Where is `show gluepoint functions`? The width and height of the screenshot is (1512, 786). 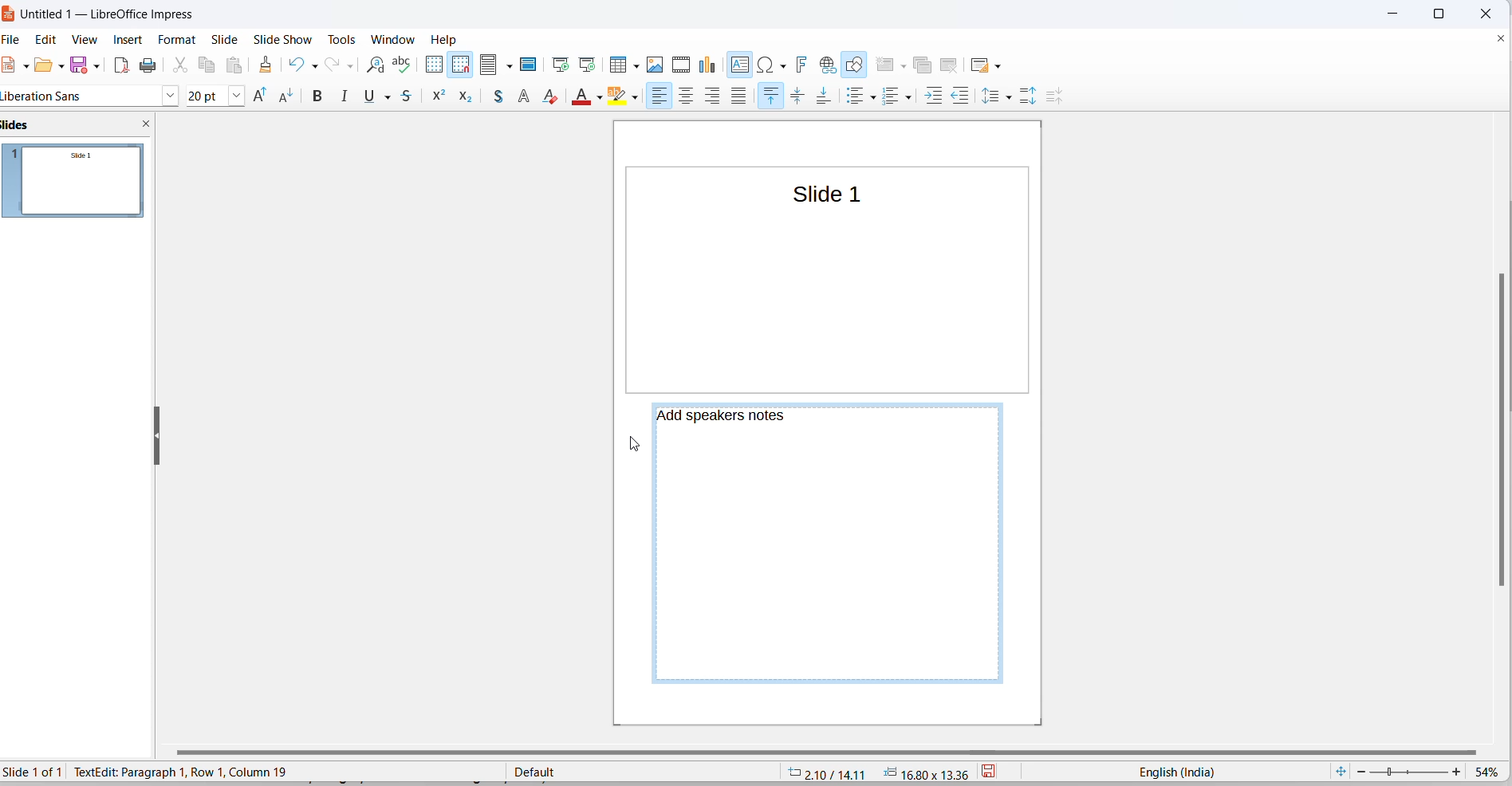
show gluepoint functions is located at coordinates (854, 98).